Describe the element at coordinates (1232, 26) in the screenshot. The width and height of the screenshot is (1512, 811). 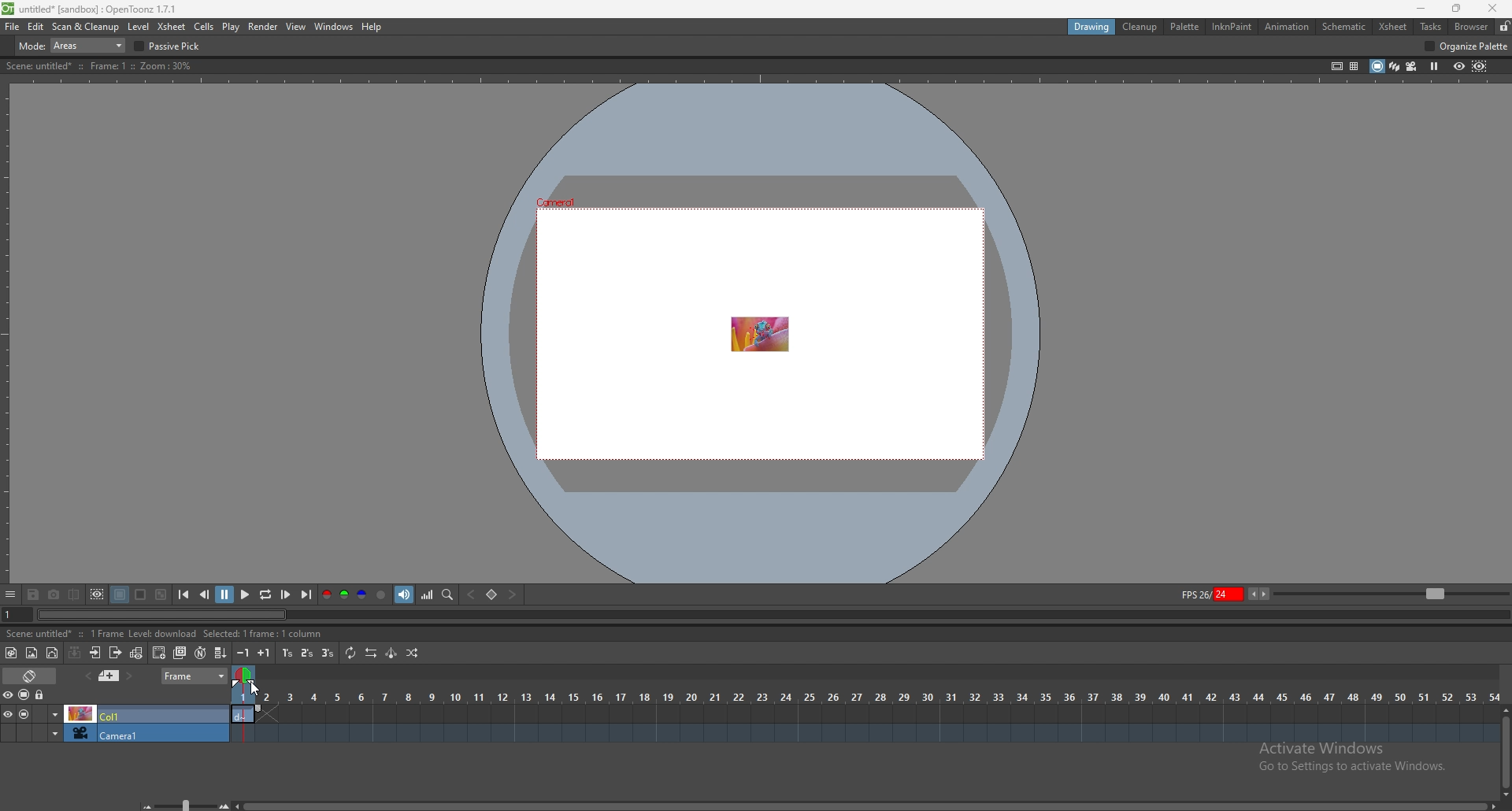
I see `inknpaint` at that location.